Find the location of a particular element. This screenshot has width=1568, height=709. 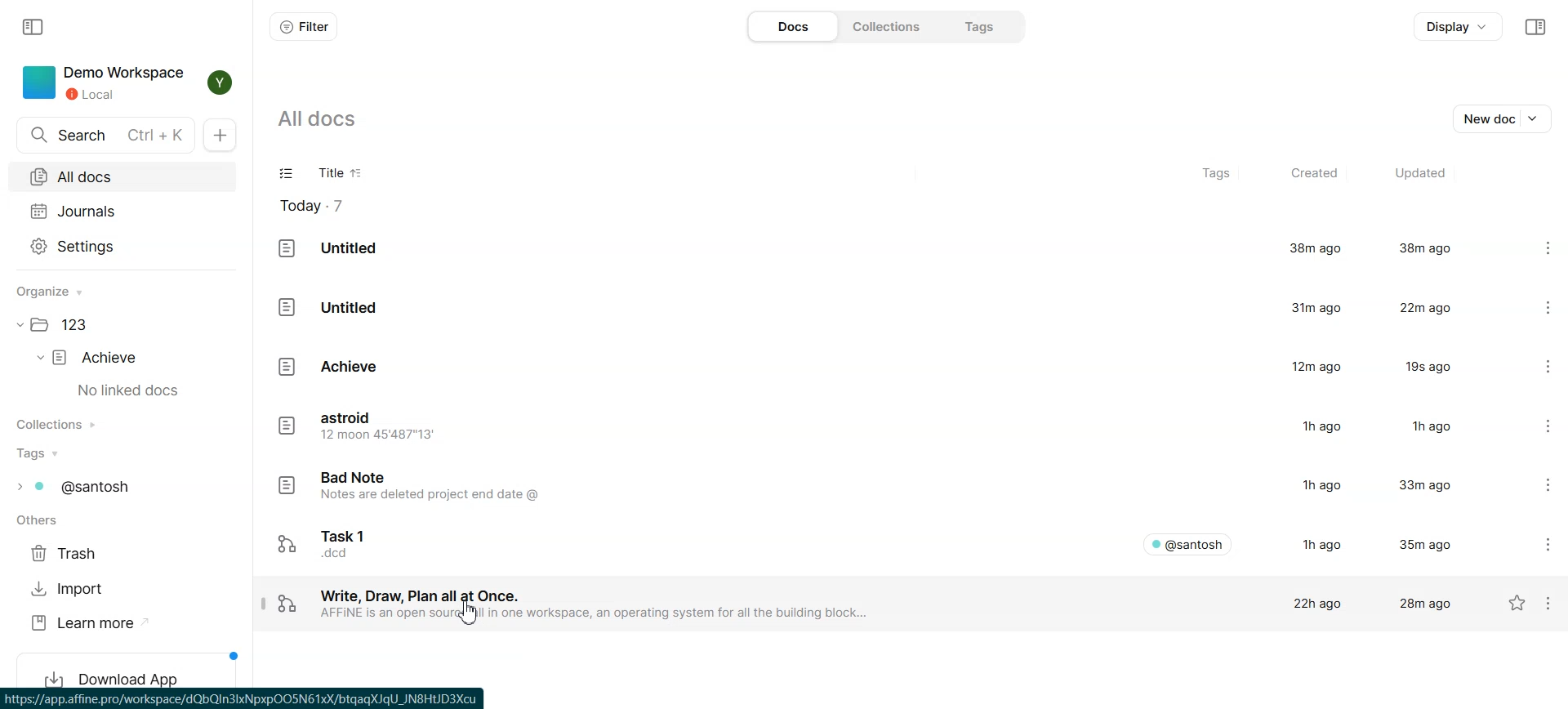

Settings is located at coordinates (1535, 427).